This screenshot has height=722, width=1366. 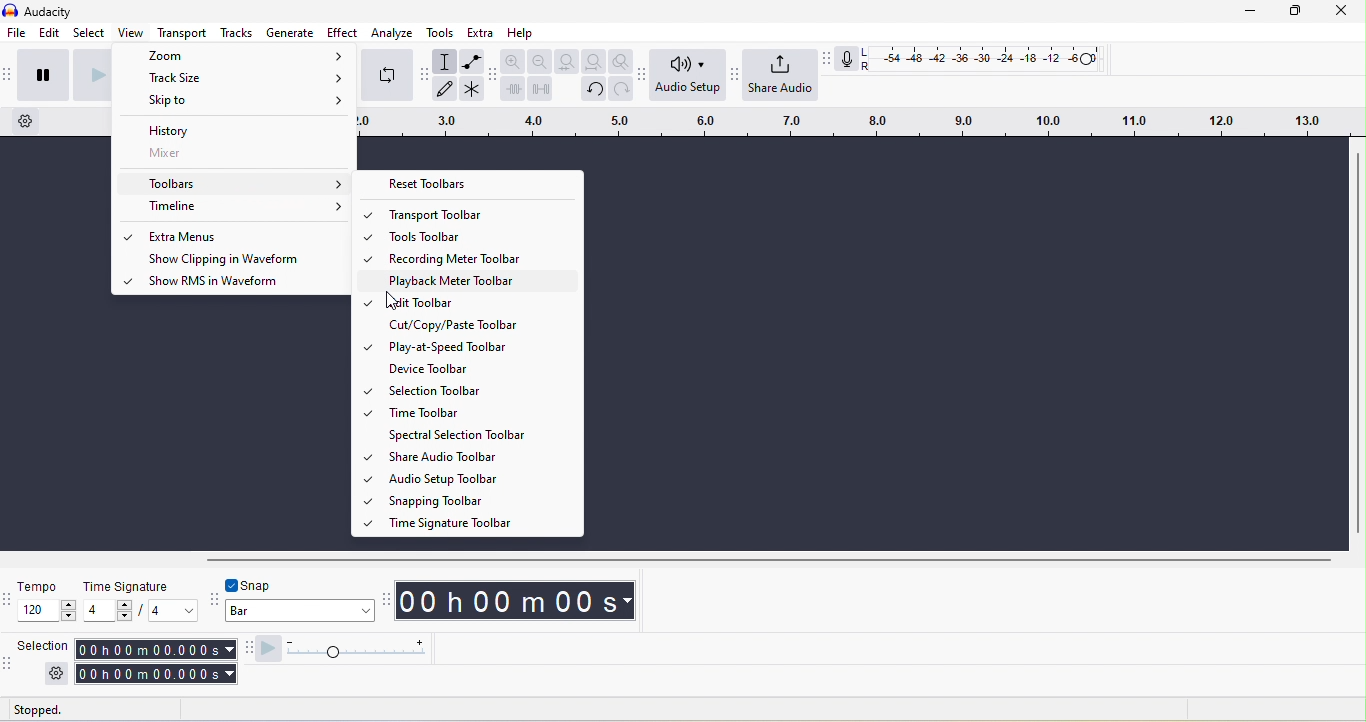 I want to click on pause, so click(x=44, y=76).